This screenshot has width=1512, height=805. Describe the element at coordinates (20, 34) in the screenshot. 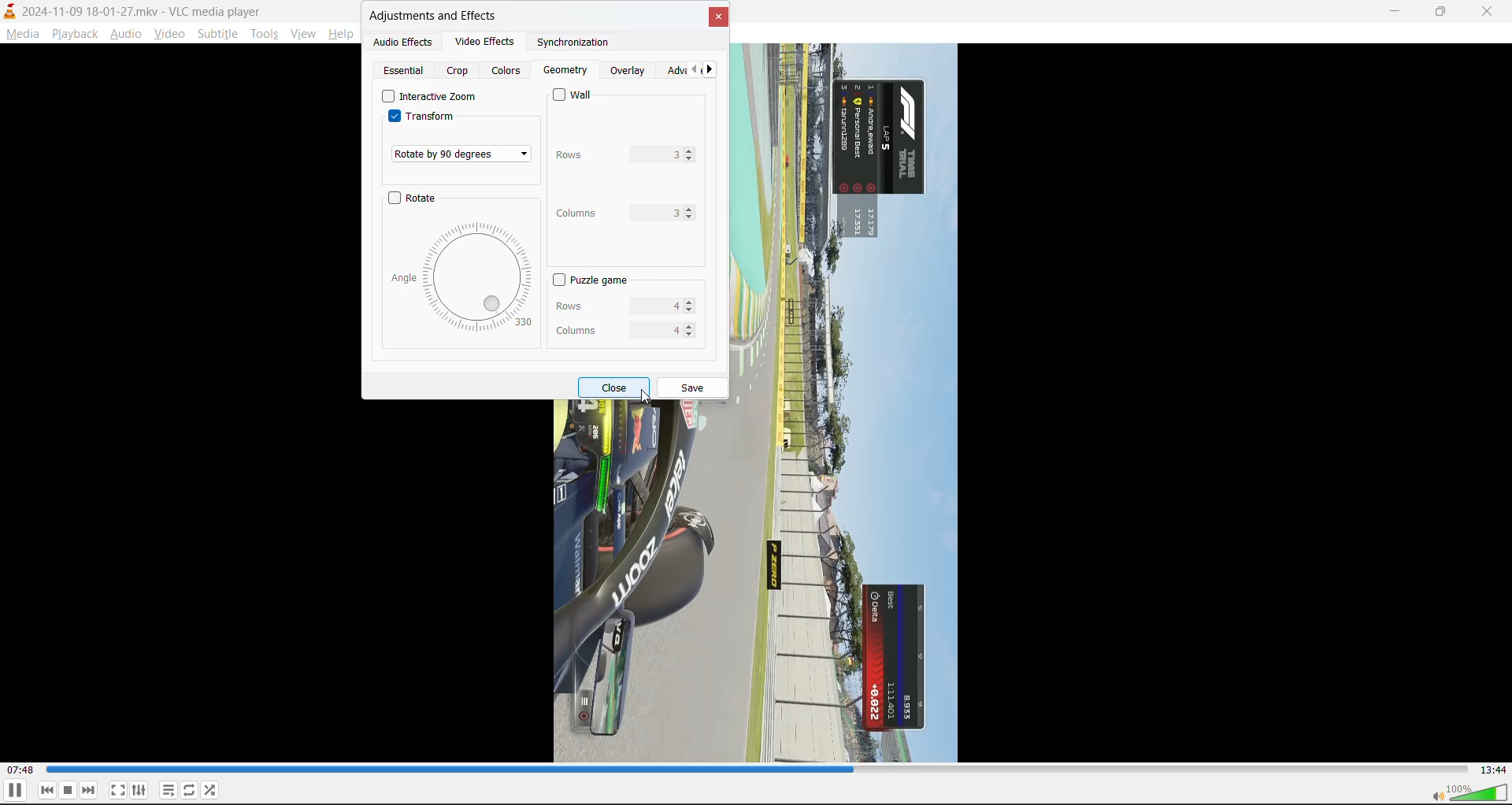

I see `media` at that location.